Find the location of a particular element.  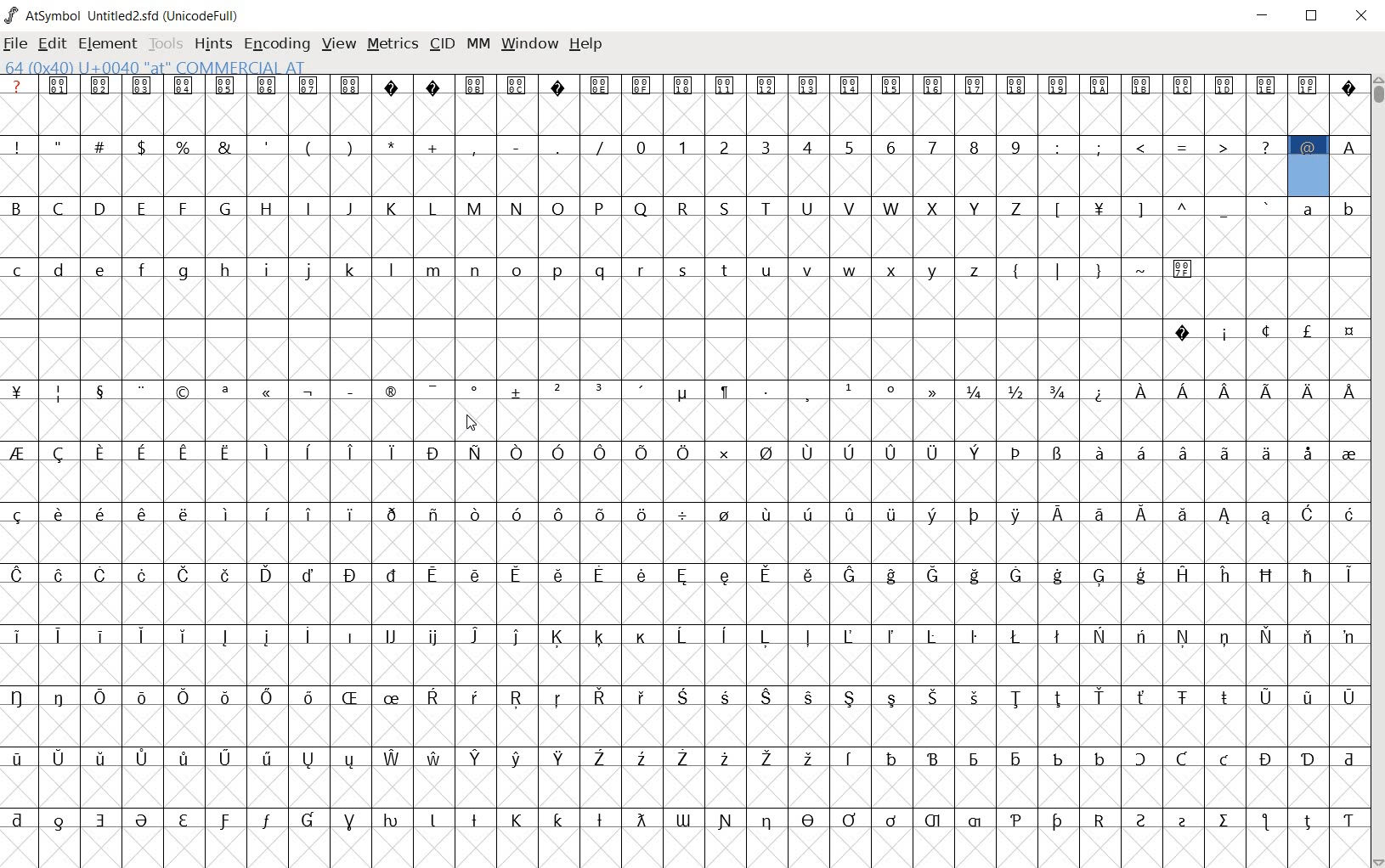

empty glyph slots is located at coordinates (642, 177).